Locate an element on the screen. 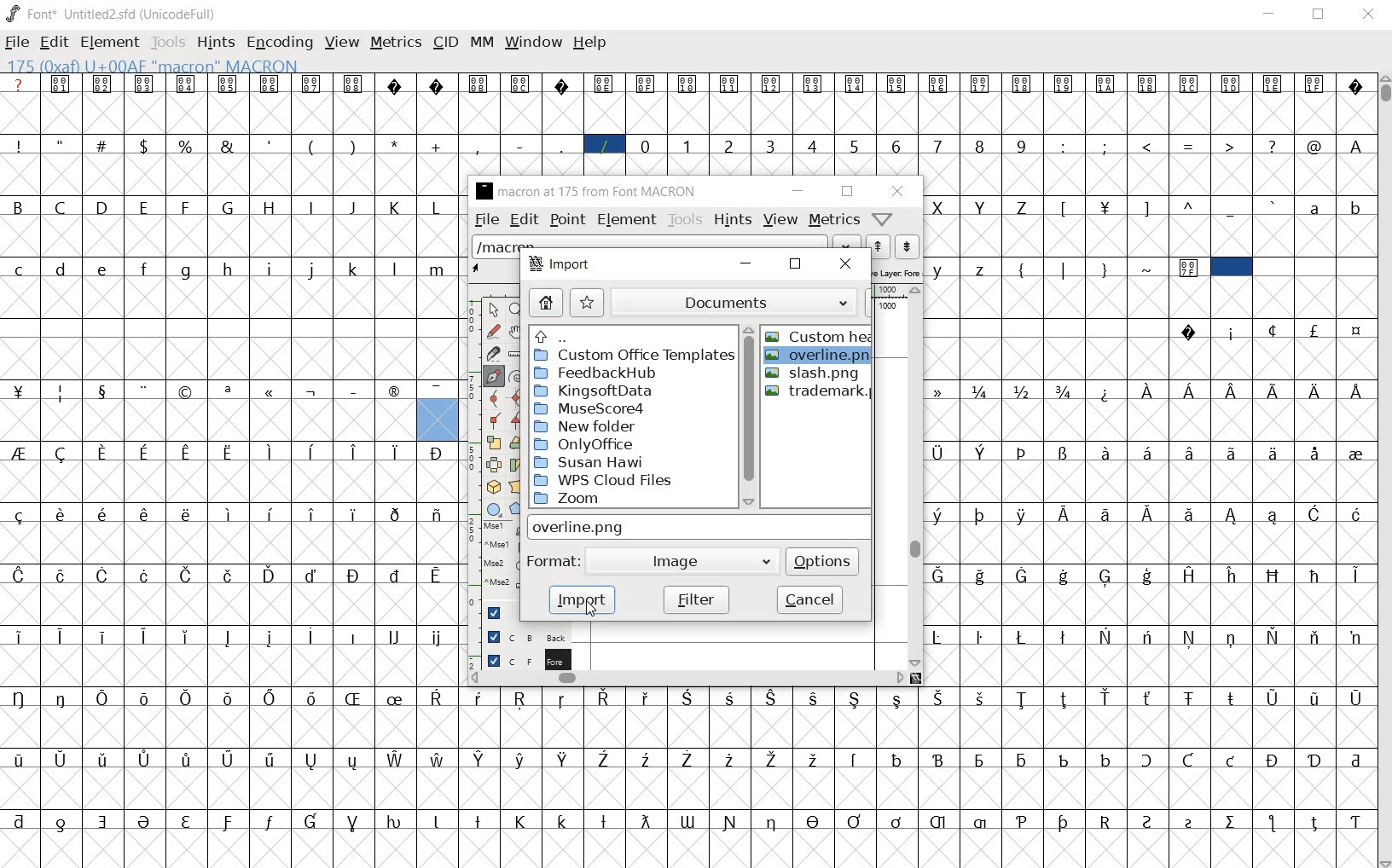  Symbol is located at coordinates (1314, 637).